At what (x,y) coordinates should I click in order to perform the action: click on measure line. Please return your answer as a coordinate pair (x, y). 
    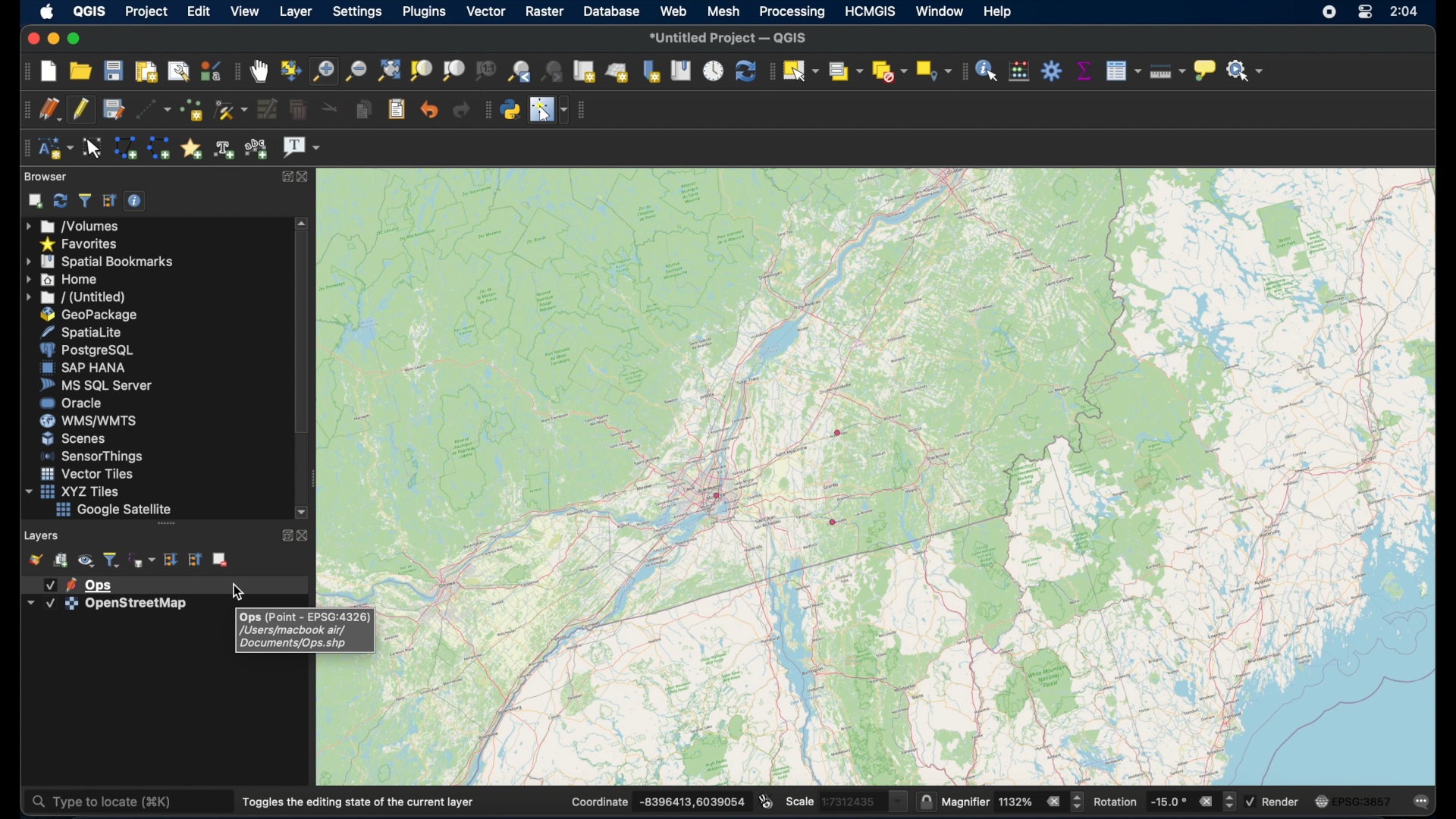
    Looking at the image, I should click on (1167, 71).